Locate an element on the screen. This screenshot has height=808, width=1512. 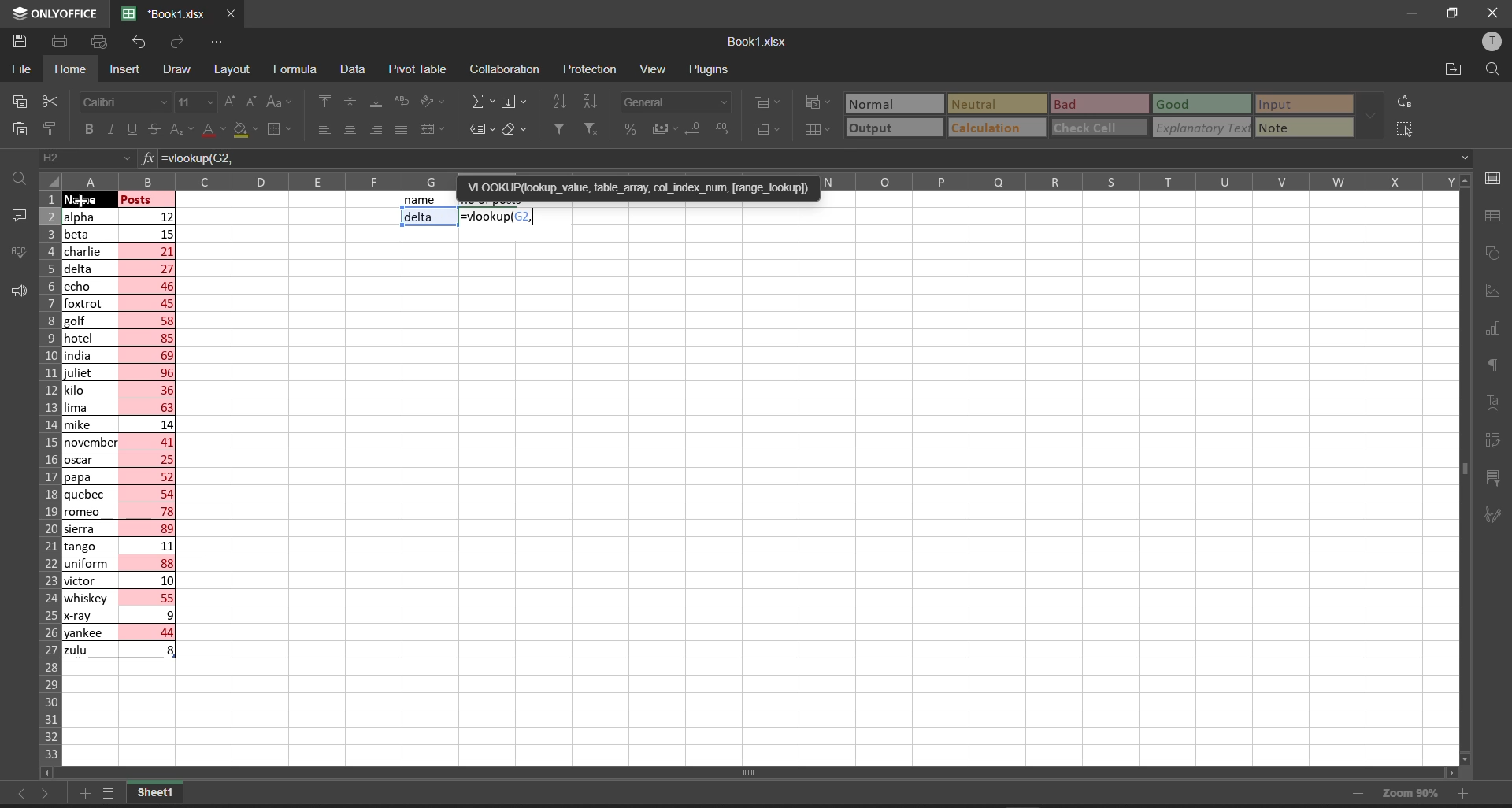
'Book1.xlsx is located at coordinates (160, 14).